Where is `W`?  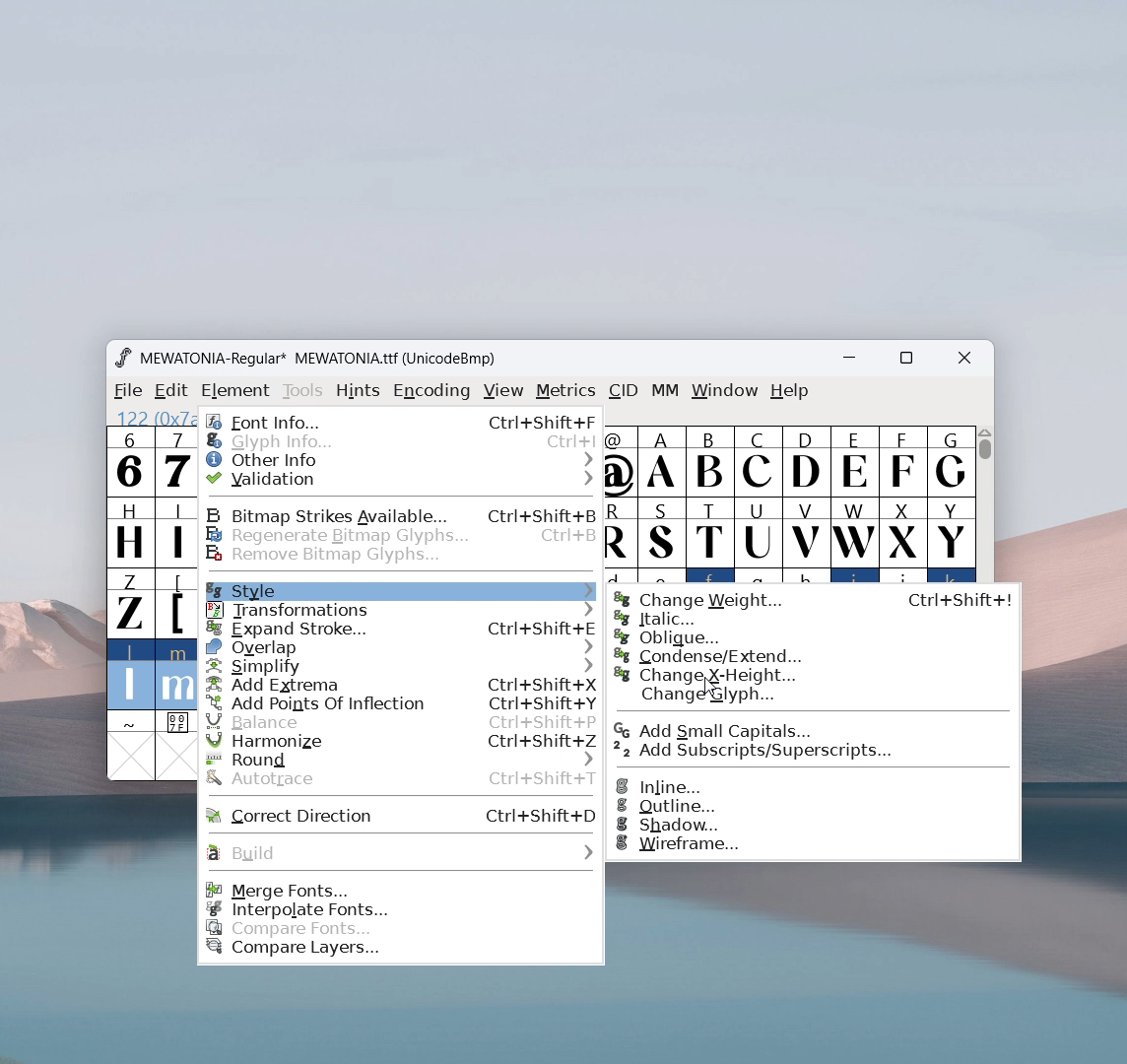
W is located at coordinates (853, 532).